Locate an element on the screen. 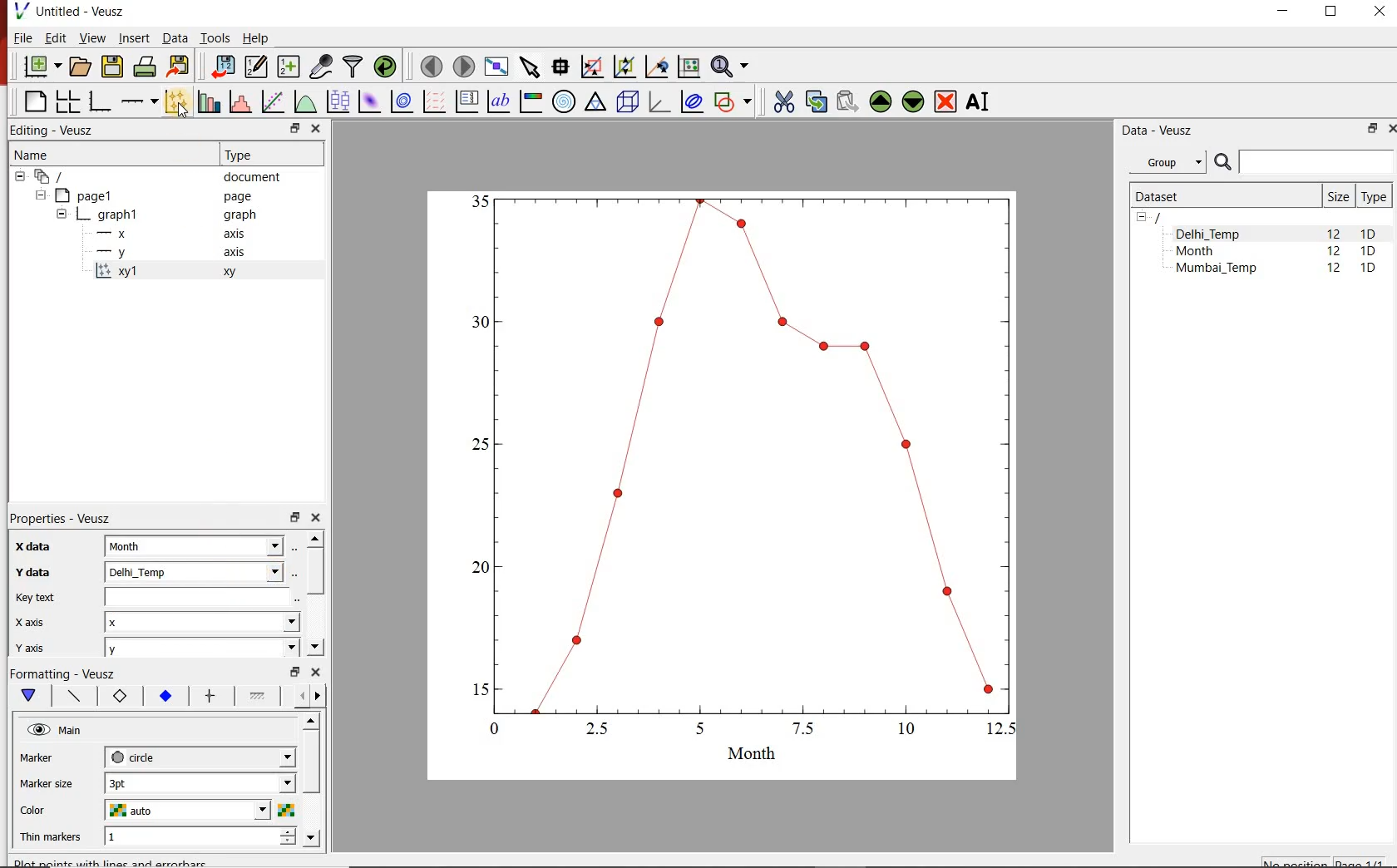 The width and height of the screenshot is (1397, 868). plot a 2d dataset as an image is located at coordinates (371, 101).